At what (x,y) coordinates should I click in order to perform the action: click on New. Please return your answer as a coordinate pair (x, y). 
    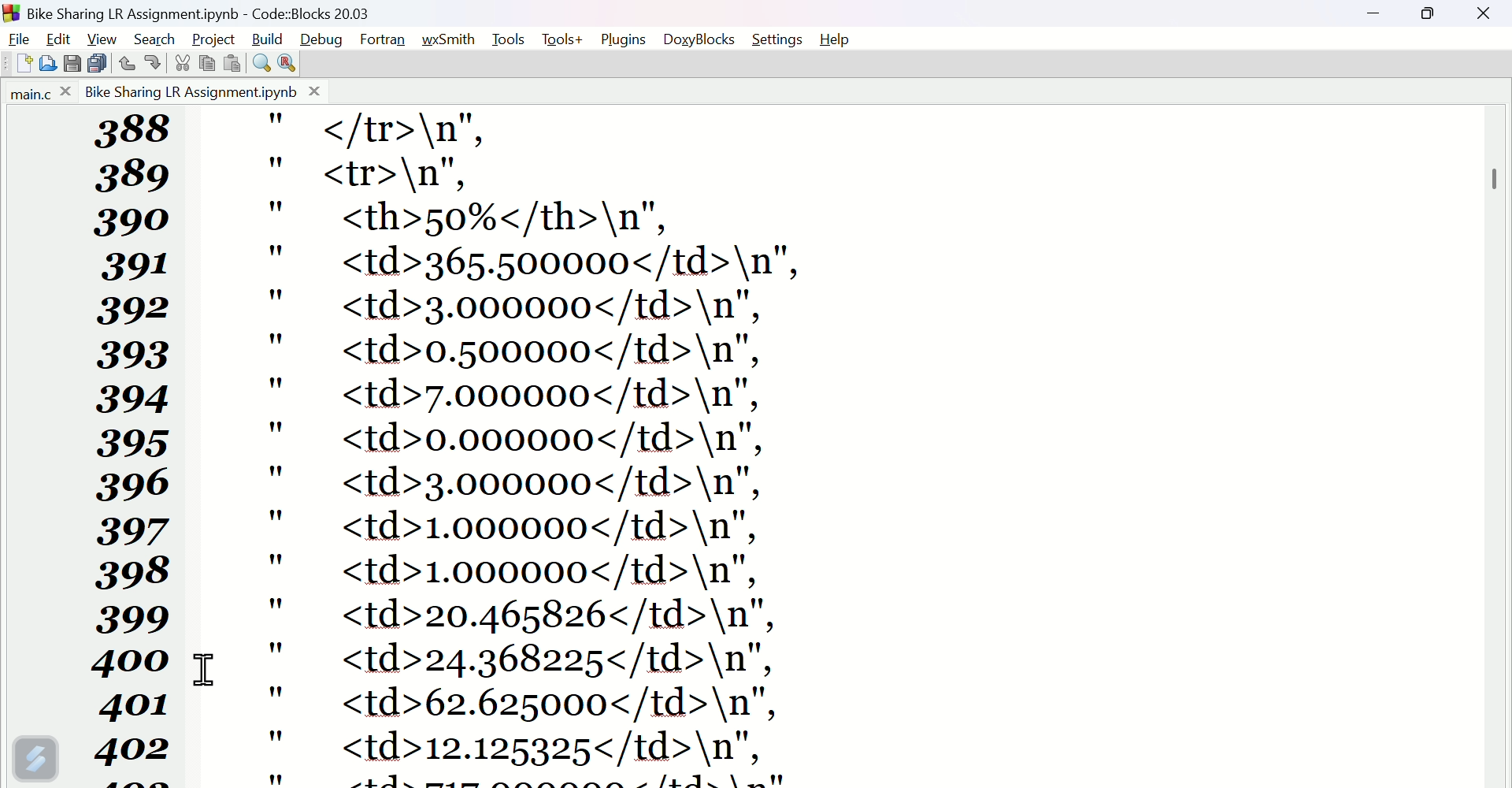
    Looking at the image, I should click on (18, 65).